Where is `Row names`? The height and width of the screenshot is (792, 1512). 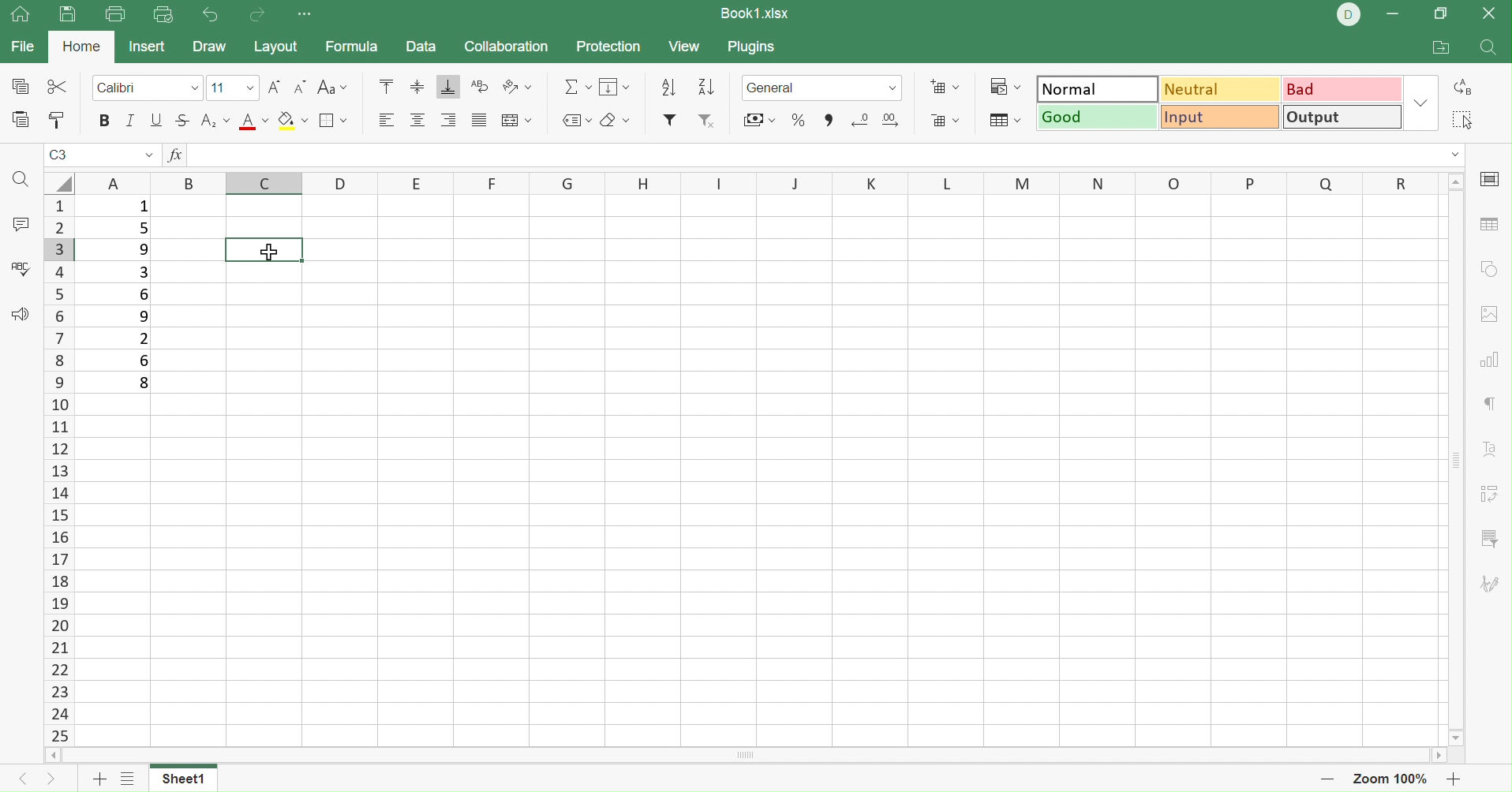 Row names is located at coordinates (58, 470).